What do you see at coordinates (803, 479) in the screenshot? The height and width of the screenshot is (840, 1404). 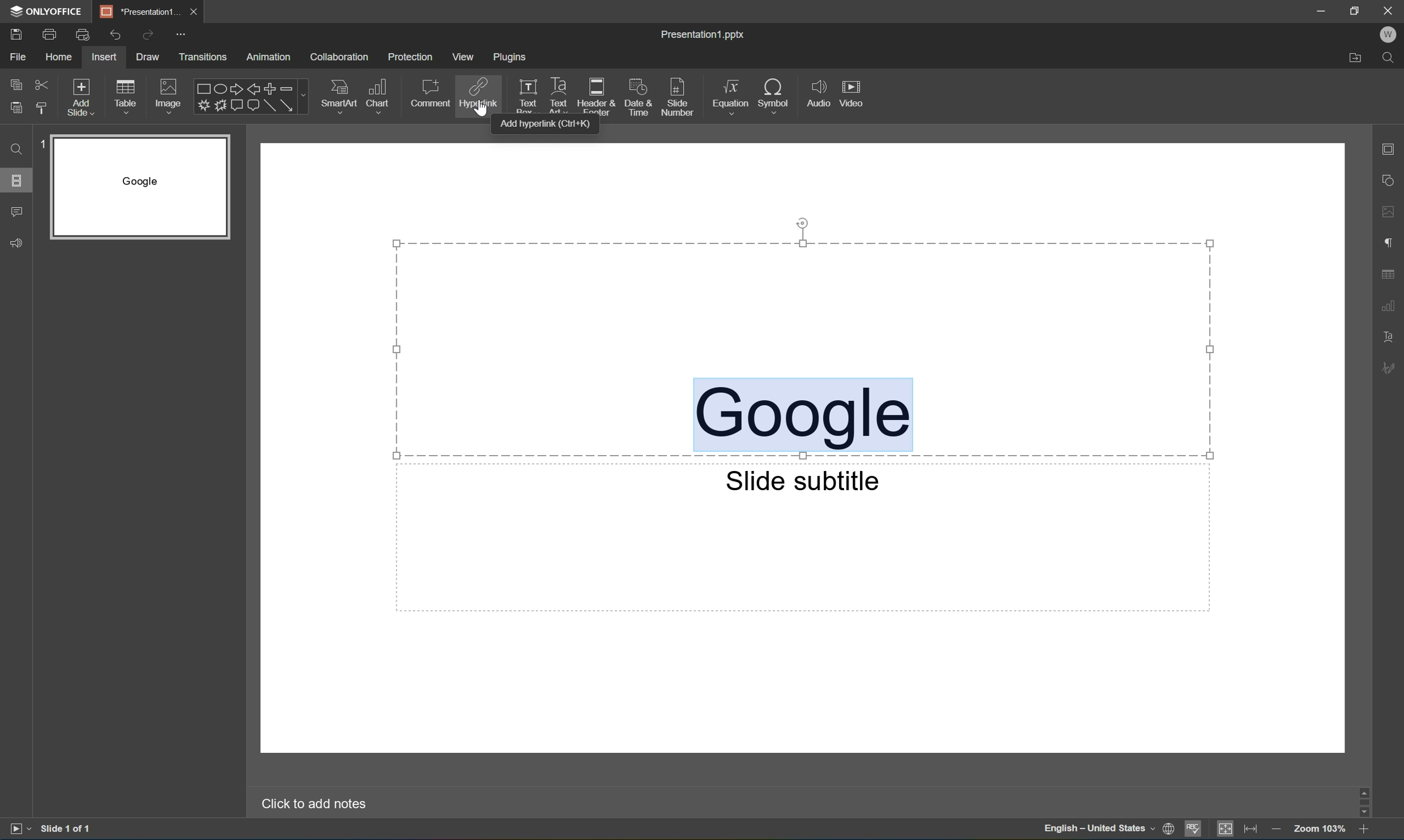 I see `Slide subtitle` at bounding box center [803, 479].